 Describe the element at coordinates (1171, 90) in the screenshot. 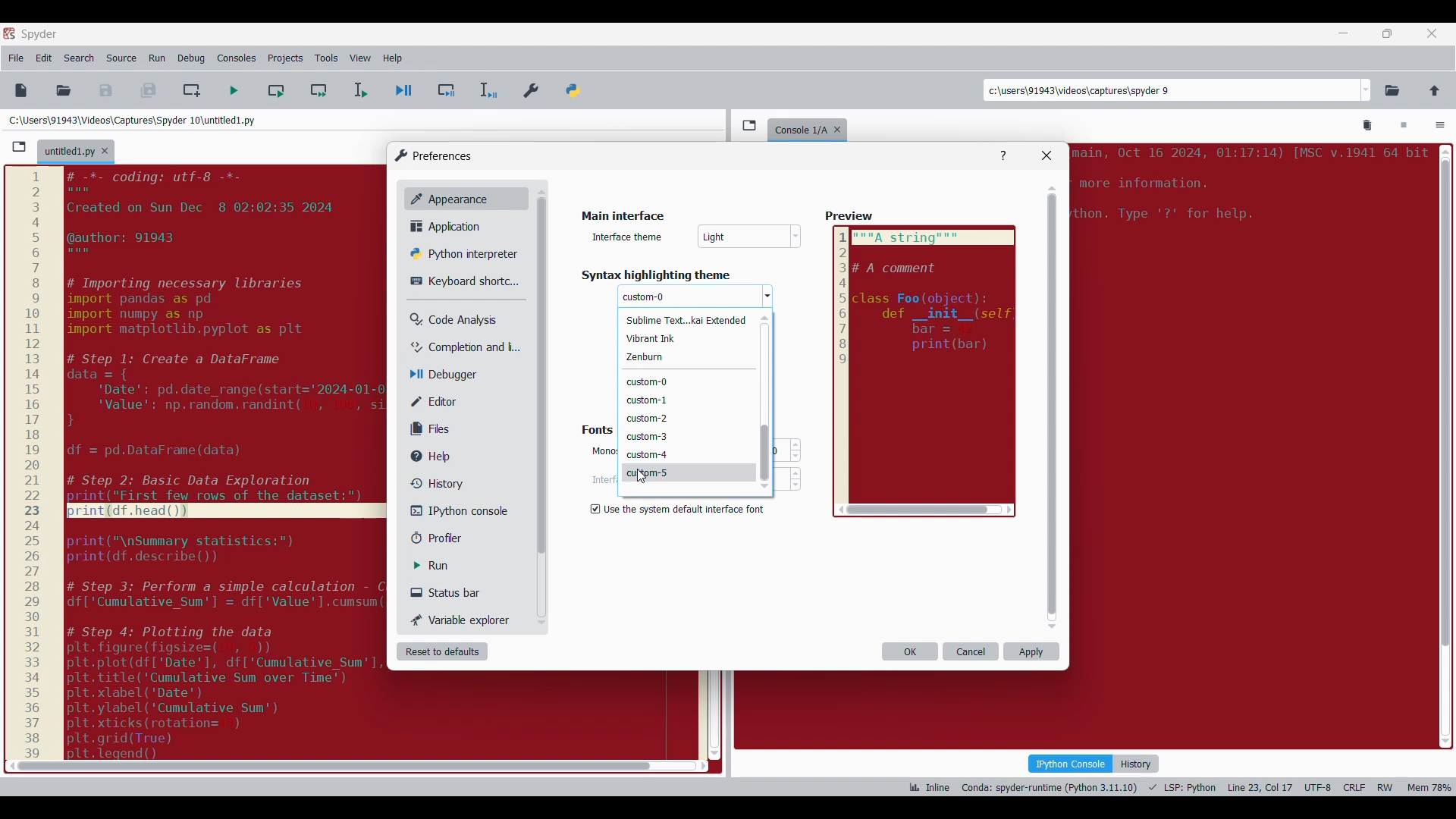

I see `Enter locations` at that location.